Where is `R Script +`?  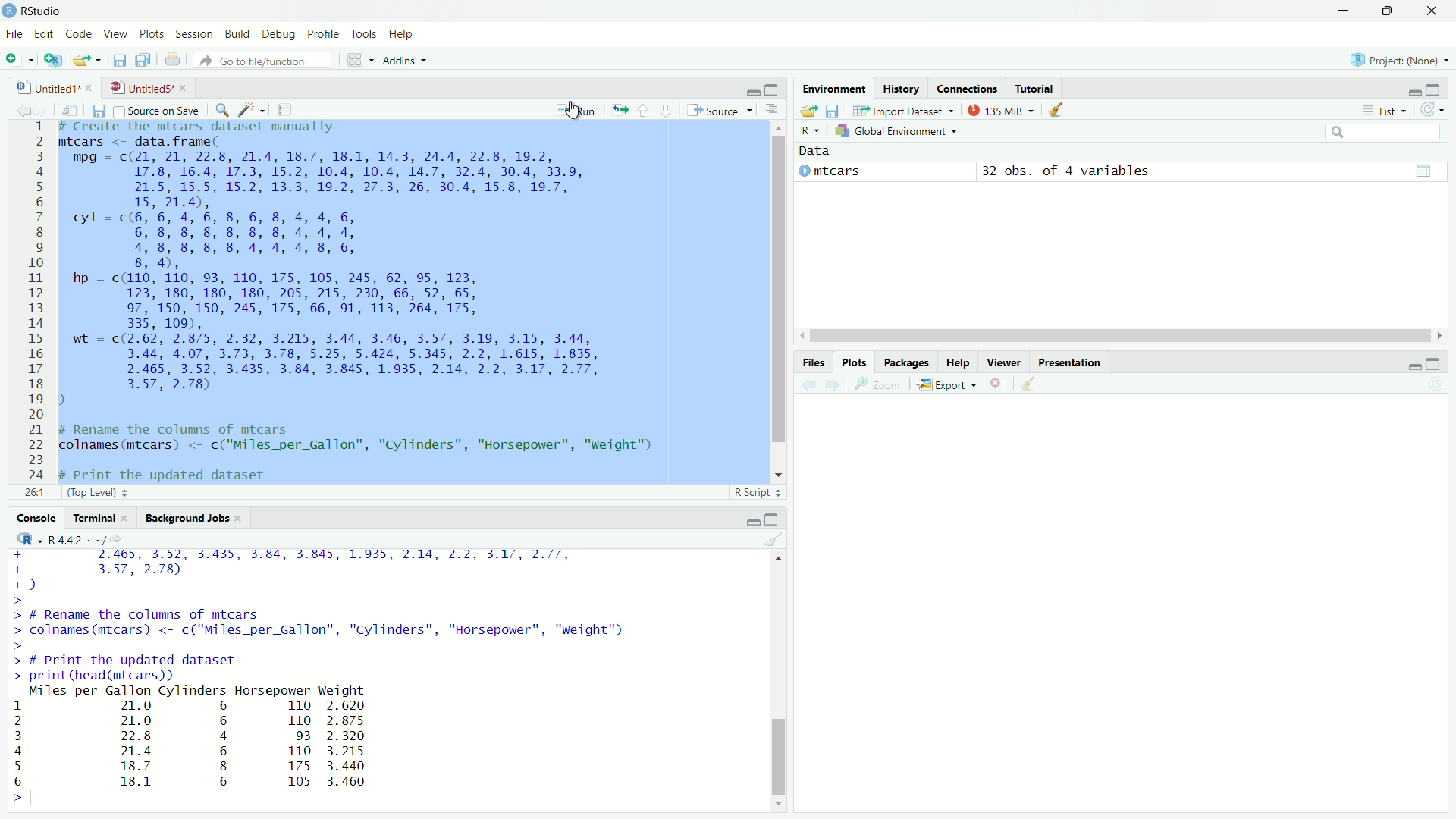
R Script + is located at coordinates (754, 494).